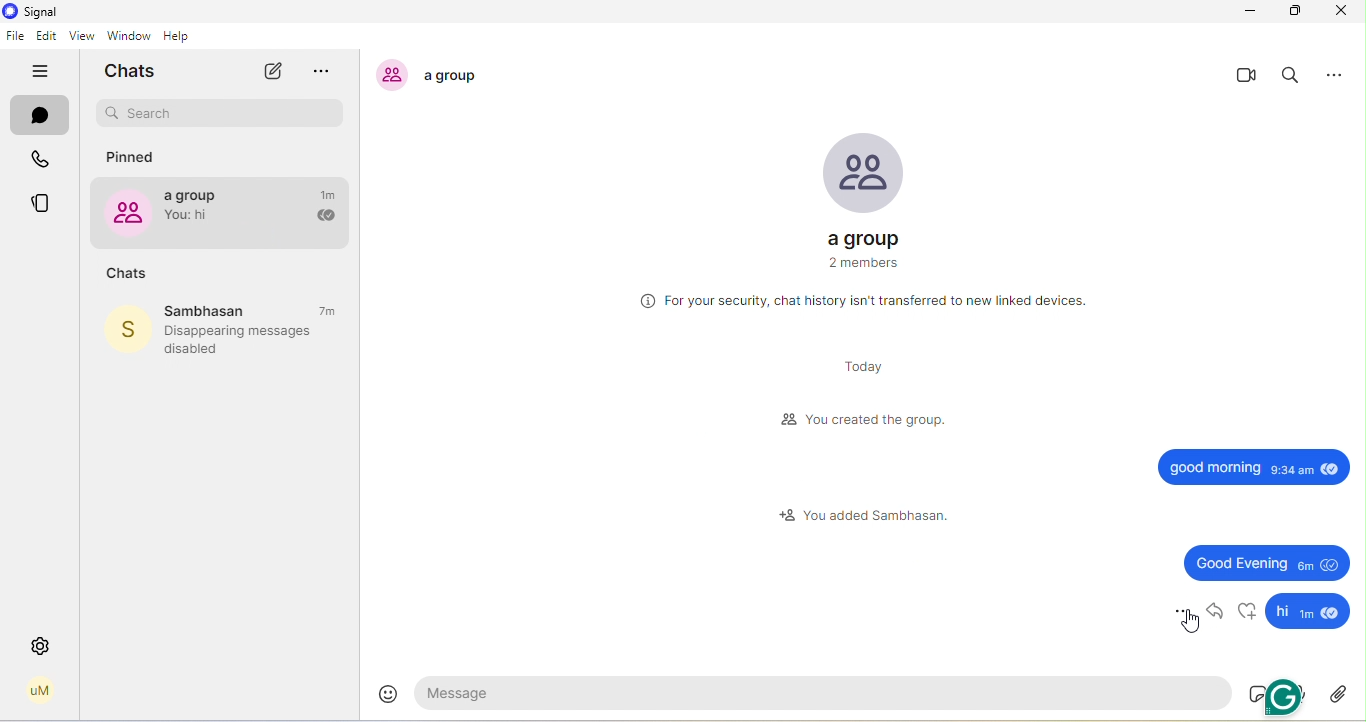 This screenshot has width=1366, height=722. I want to click on view, so click(79, 37).